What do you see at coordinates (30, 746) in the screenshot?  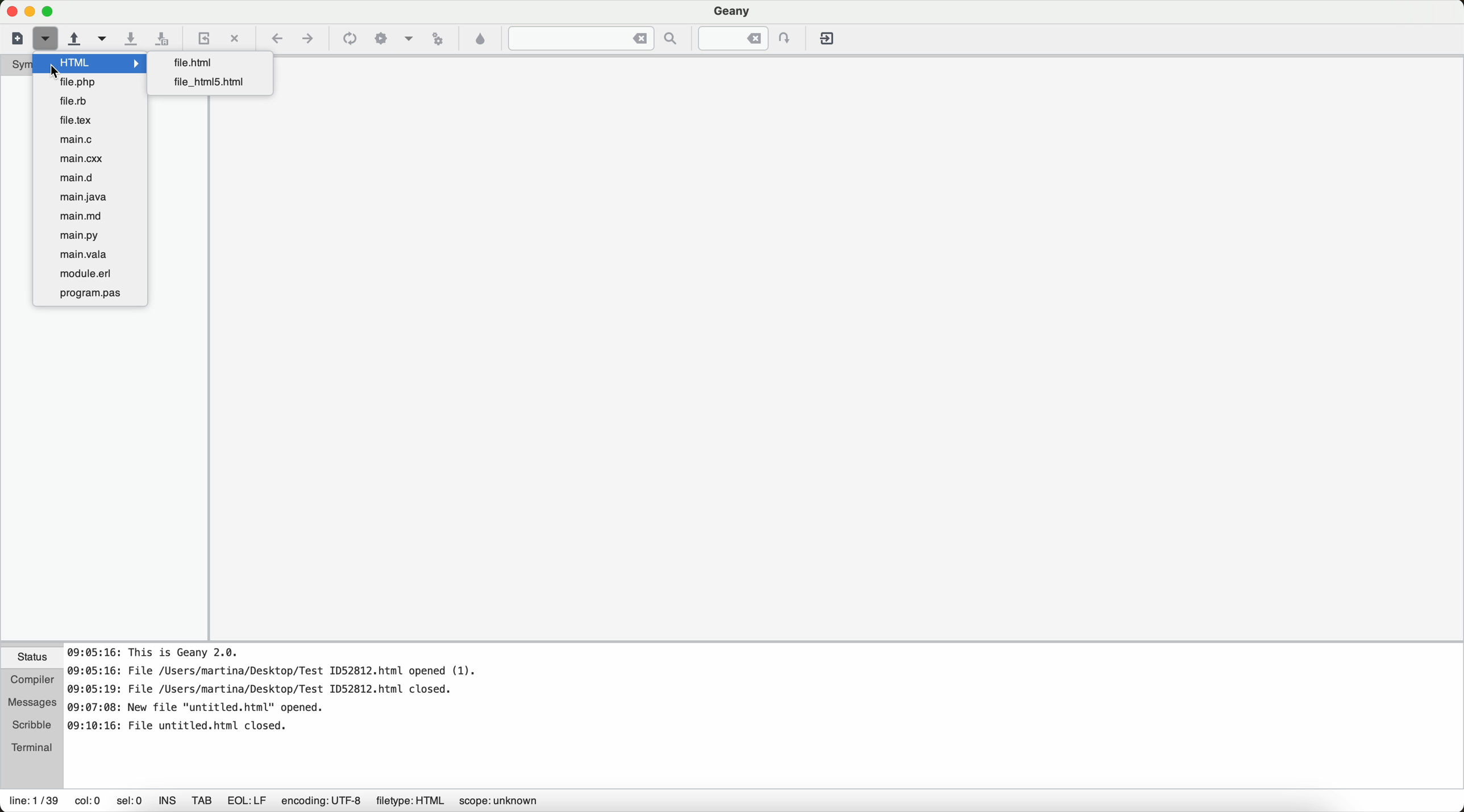 I see `terminal` at bounding box center [30, 746].